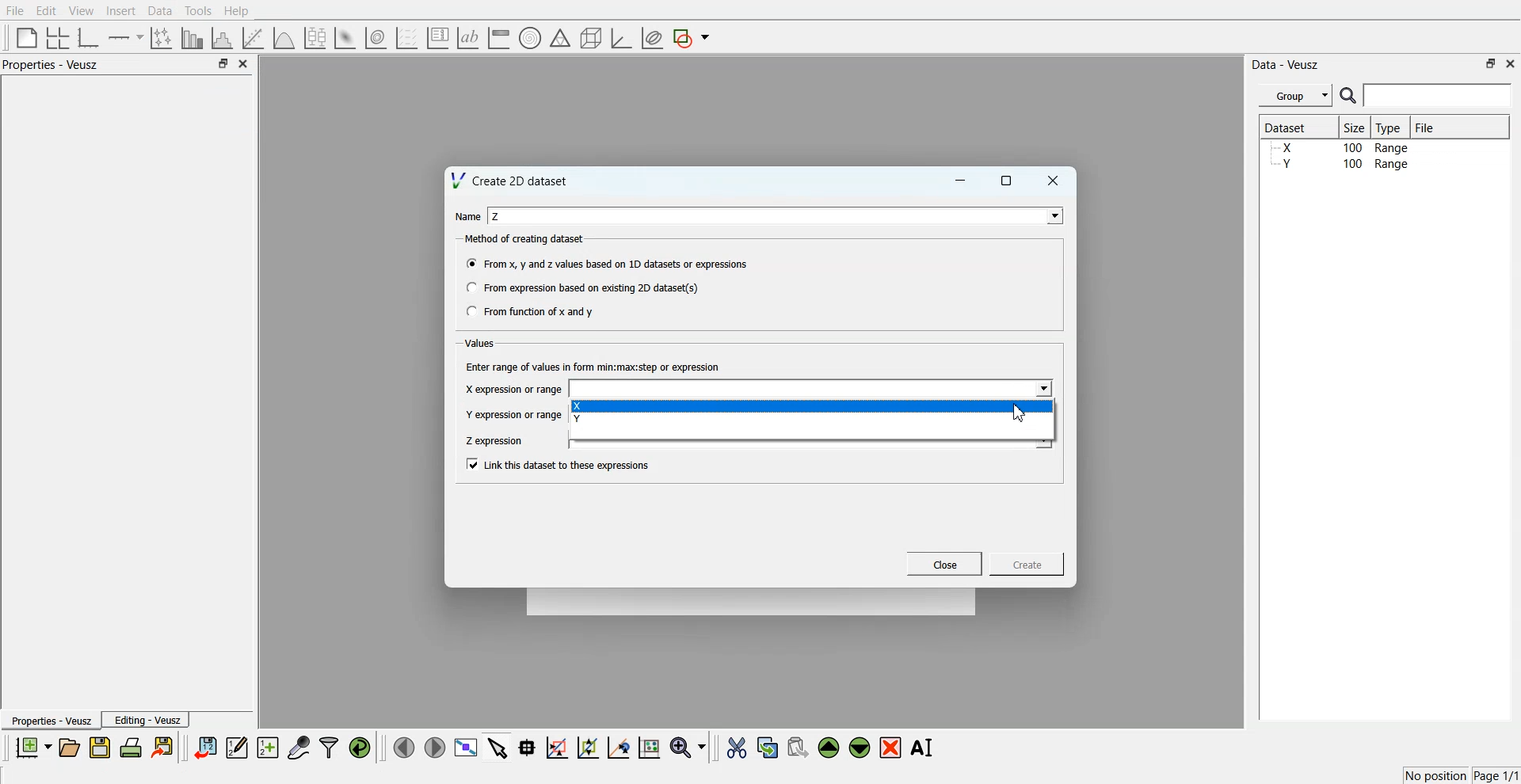 This screenshot has width=1521, height=784. Describe the element at coordinates (768, 747) in the screenshot. I see `Copy the selected widget` at that location.